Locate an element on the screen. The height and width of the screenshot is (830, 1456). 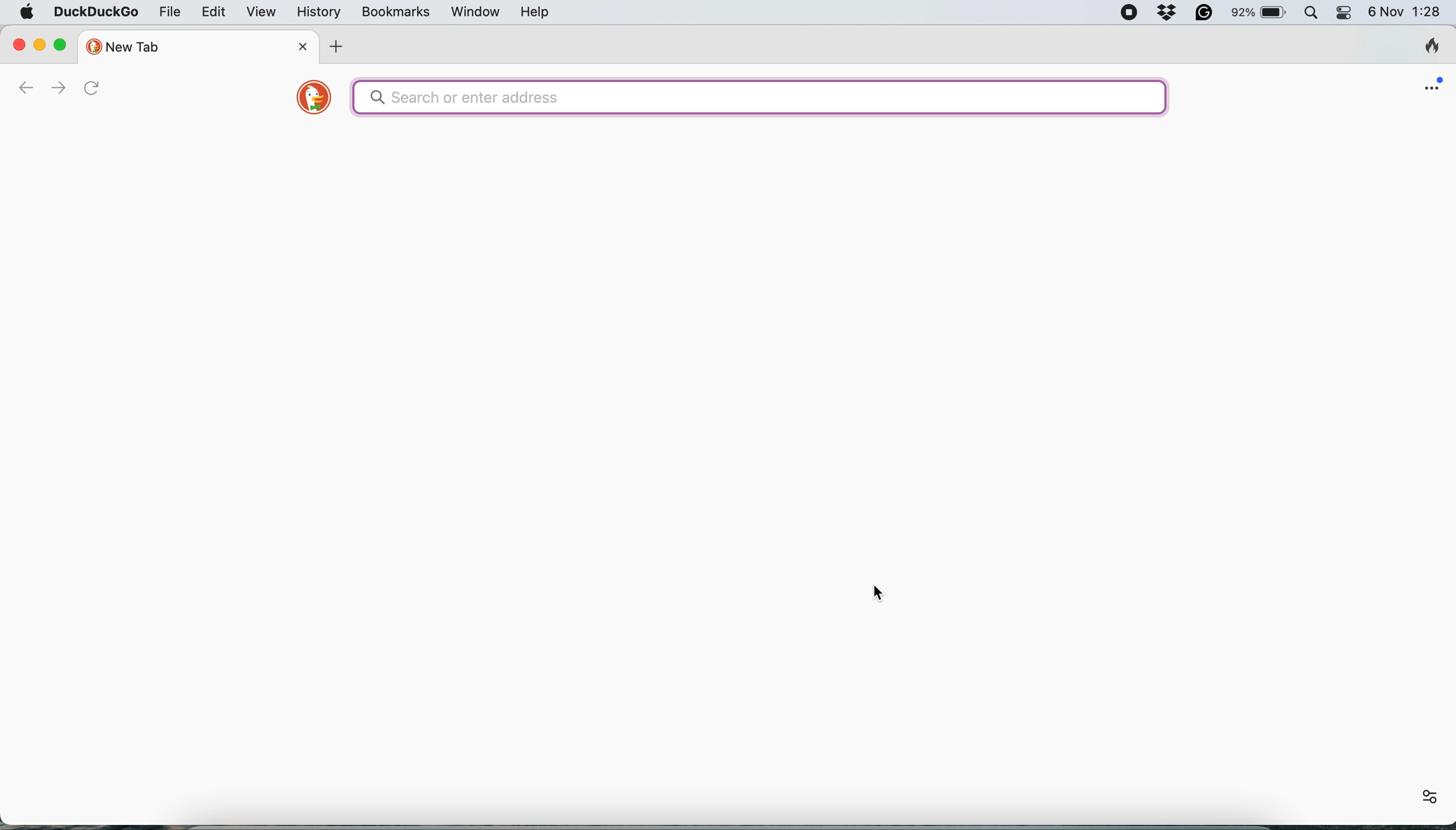
search bar is located at coordinates (759, 99).